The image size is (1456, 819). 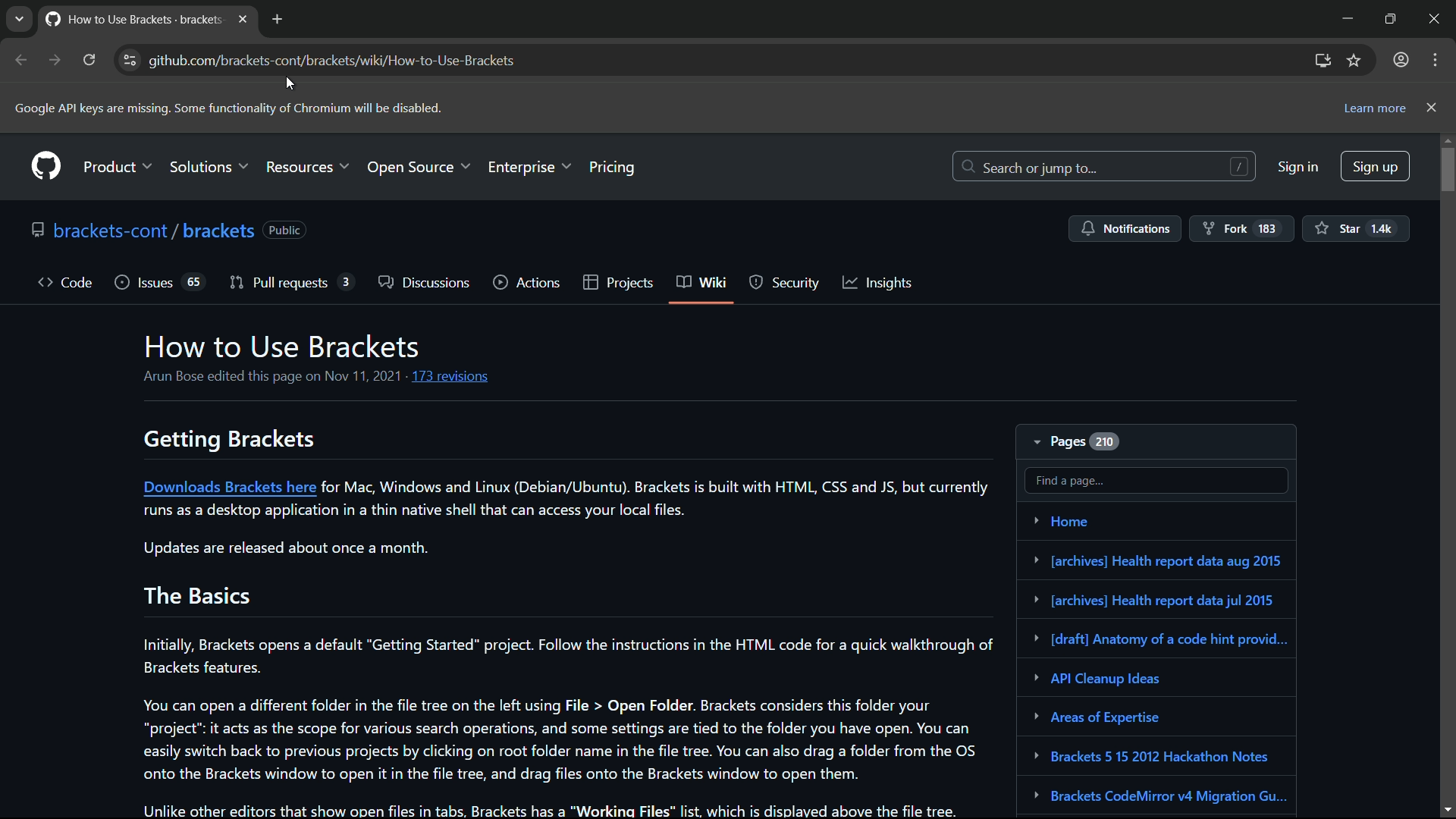 I want to click on forward, so click(x=57, y=60).